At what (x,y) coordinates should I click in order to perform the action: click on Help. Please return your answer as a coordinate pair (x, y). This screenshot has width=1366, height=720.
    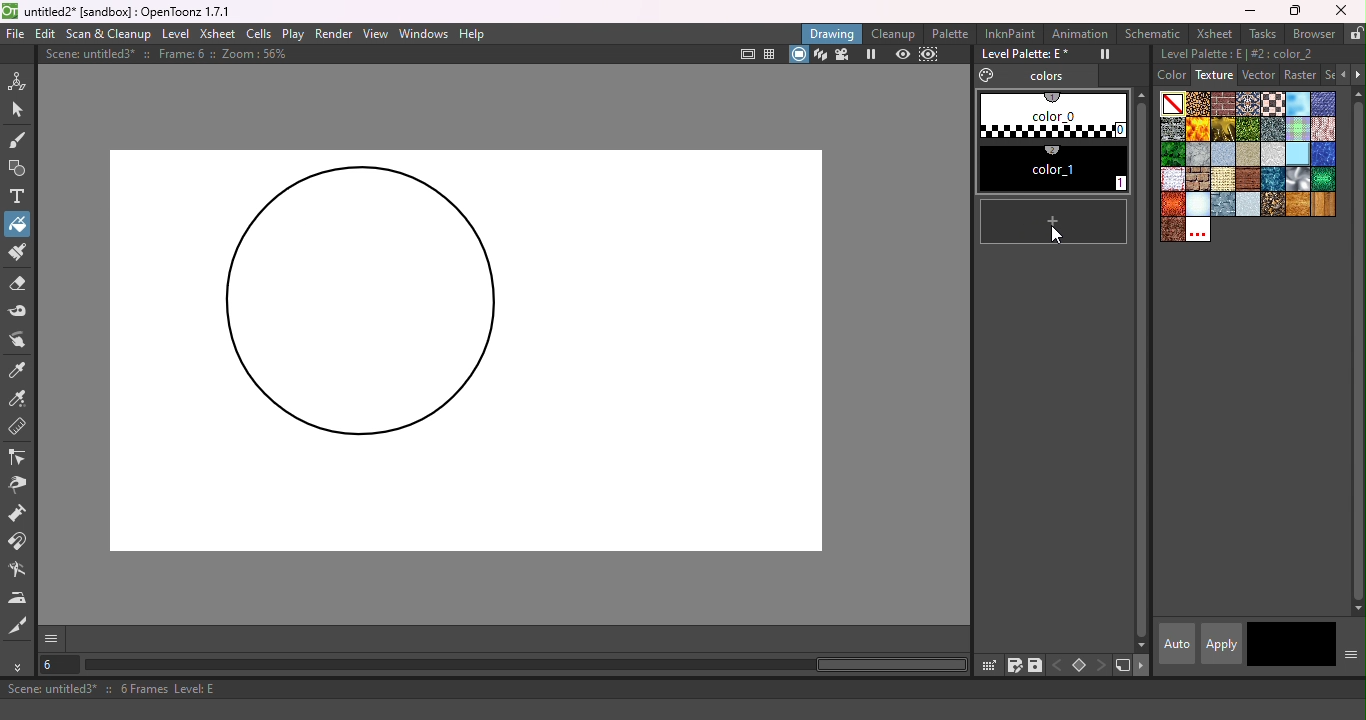
    Looking at the image, I should click on (472, 34).